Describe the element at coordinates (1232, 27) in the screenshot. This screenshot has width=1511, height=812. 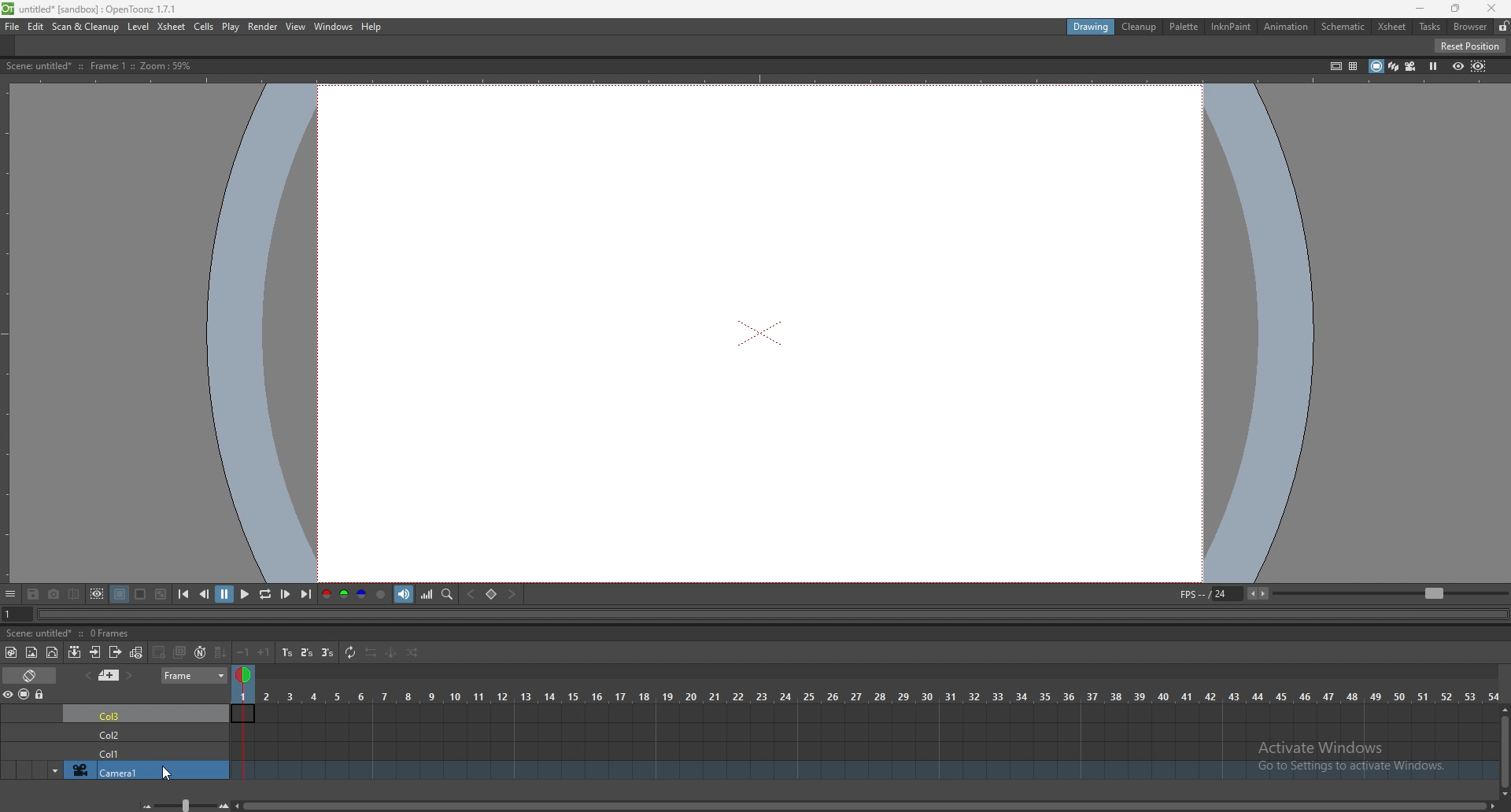
I see `inknpaint` at that location.